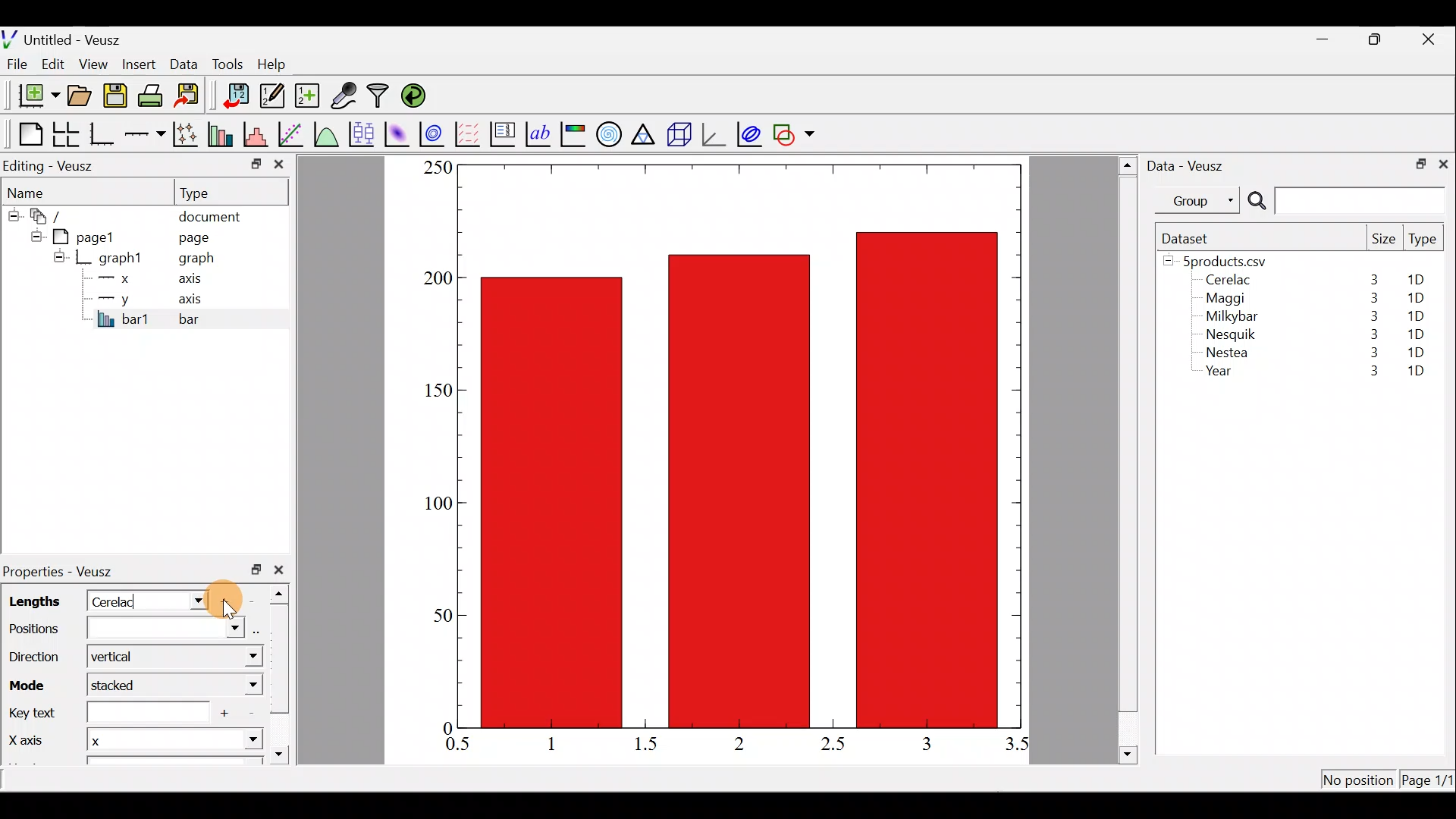 This screenshot has height=819, width=1456. I want to click on X axis, so click(27, 741).